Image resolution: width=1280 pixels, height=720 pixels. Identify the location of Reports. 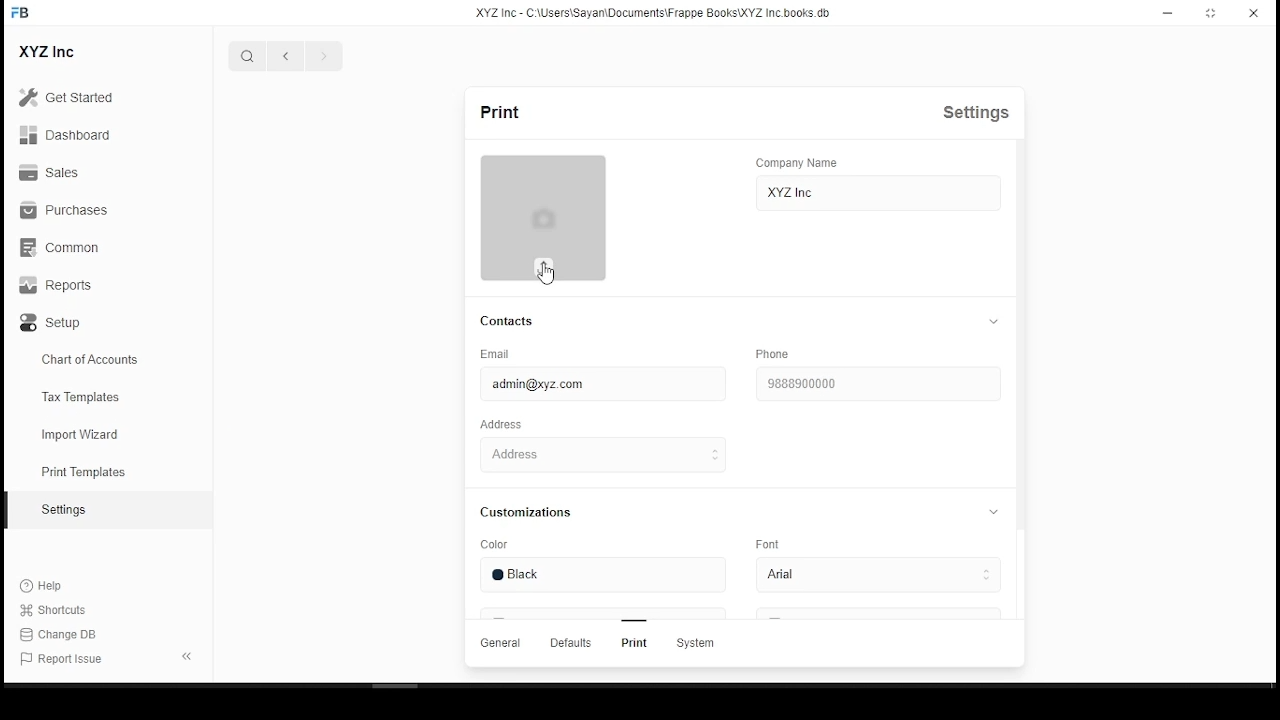
(54, 285).